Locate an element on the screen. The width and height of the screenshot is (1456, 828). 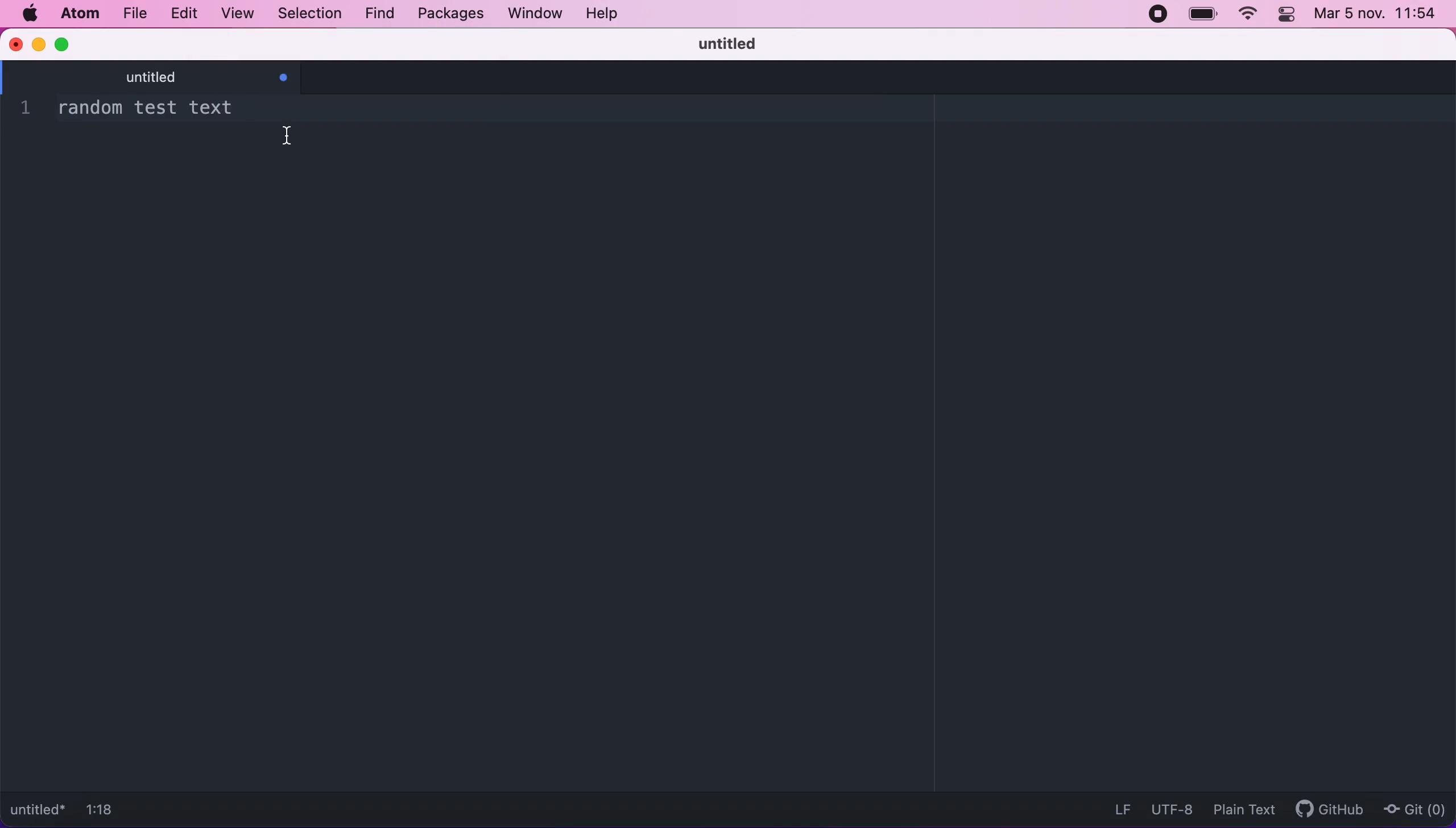
close is located at coordinates (15, 43).